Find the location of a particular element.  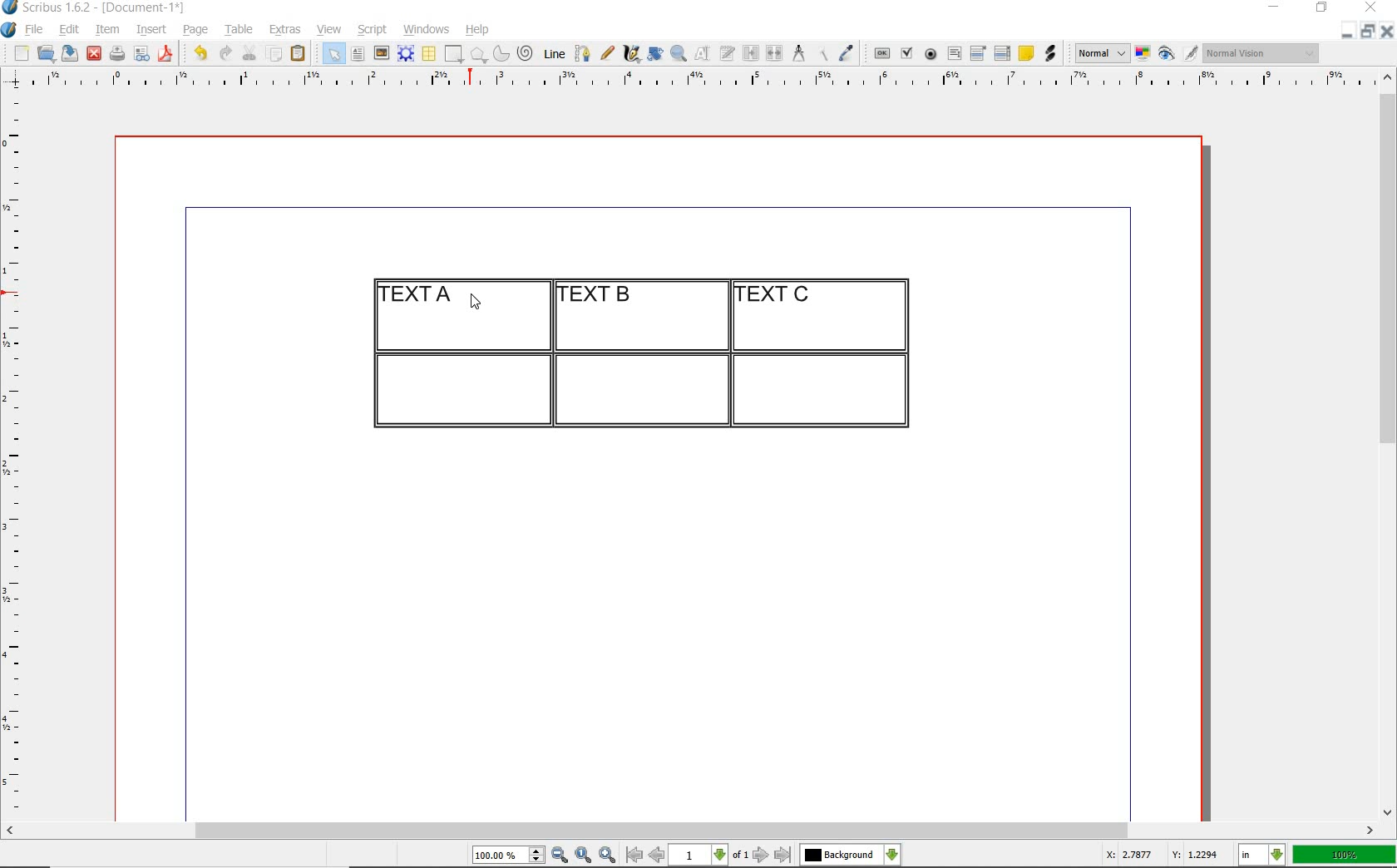

zoom in or zoom out is located at coordinates (679, 53).